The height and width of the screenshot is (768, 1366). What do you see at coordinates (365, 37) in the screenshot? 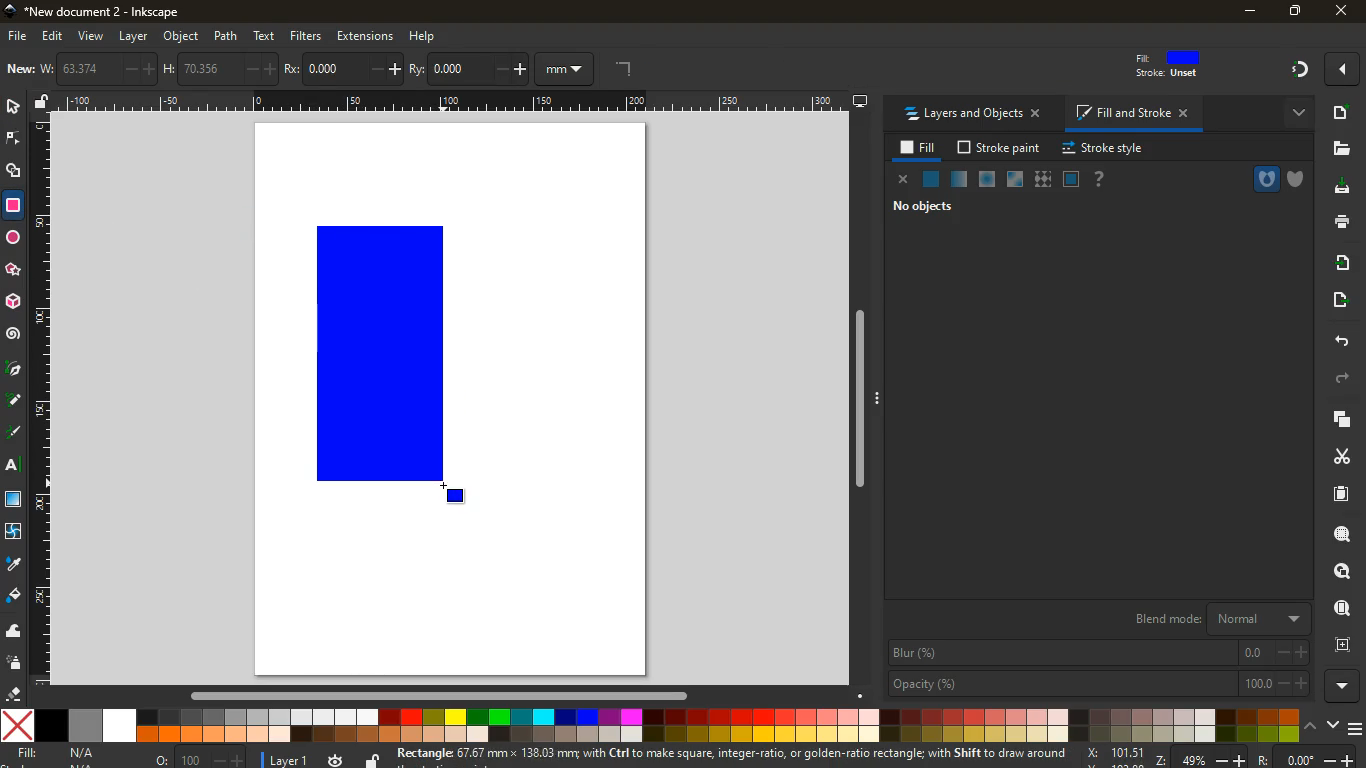
I see `extensions` at bounding box center [365, 37].